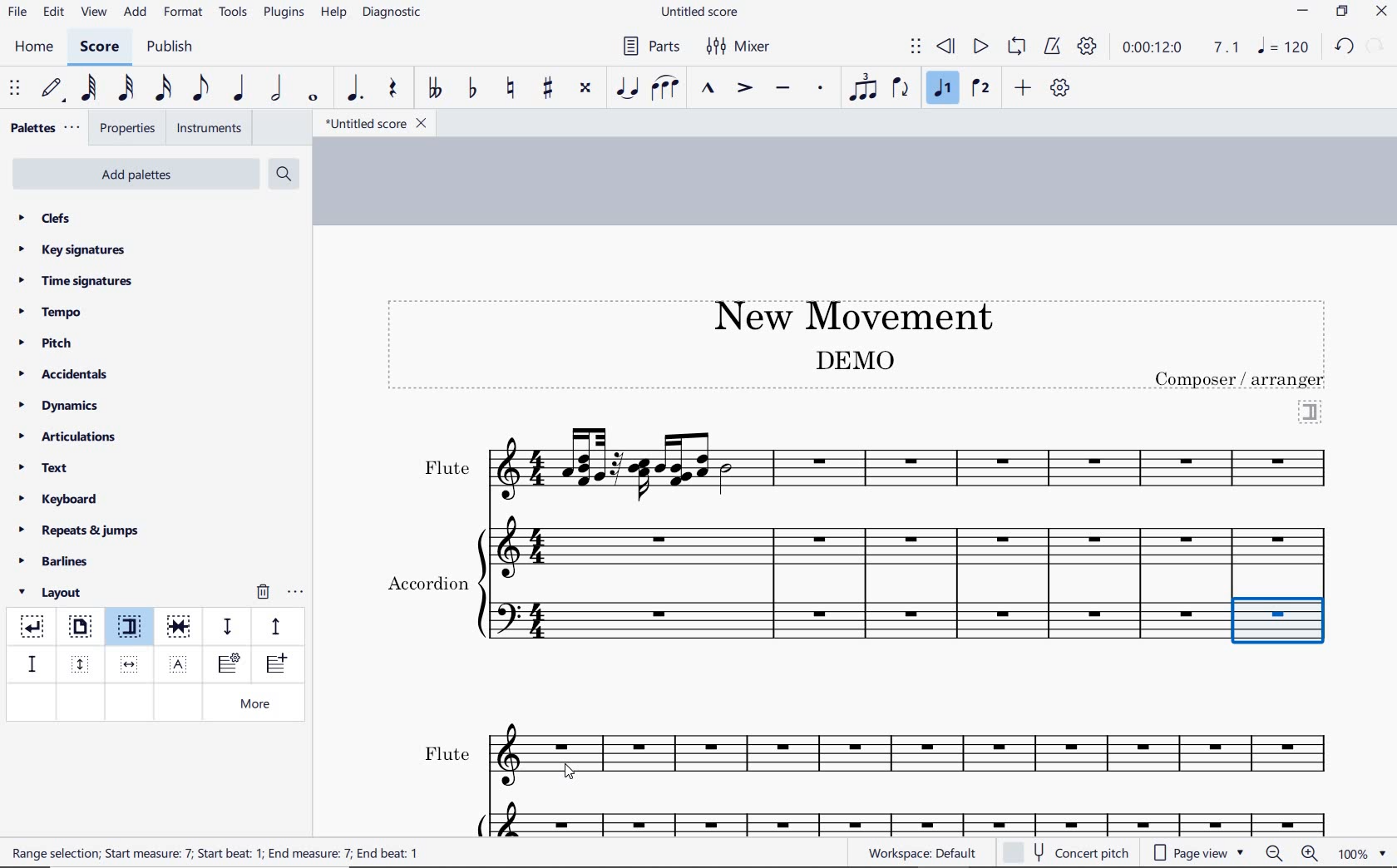 This screenshot has height=868, width=1397. What do you see at coordinates (52, 12) in the screenshot?
I see `edit` at bounding box center [52, 12].